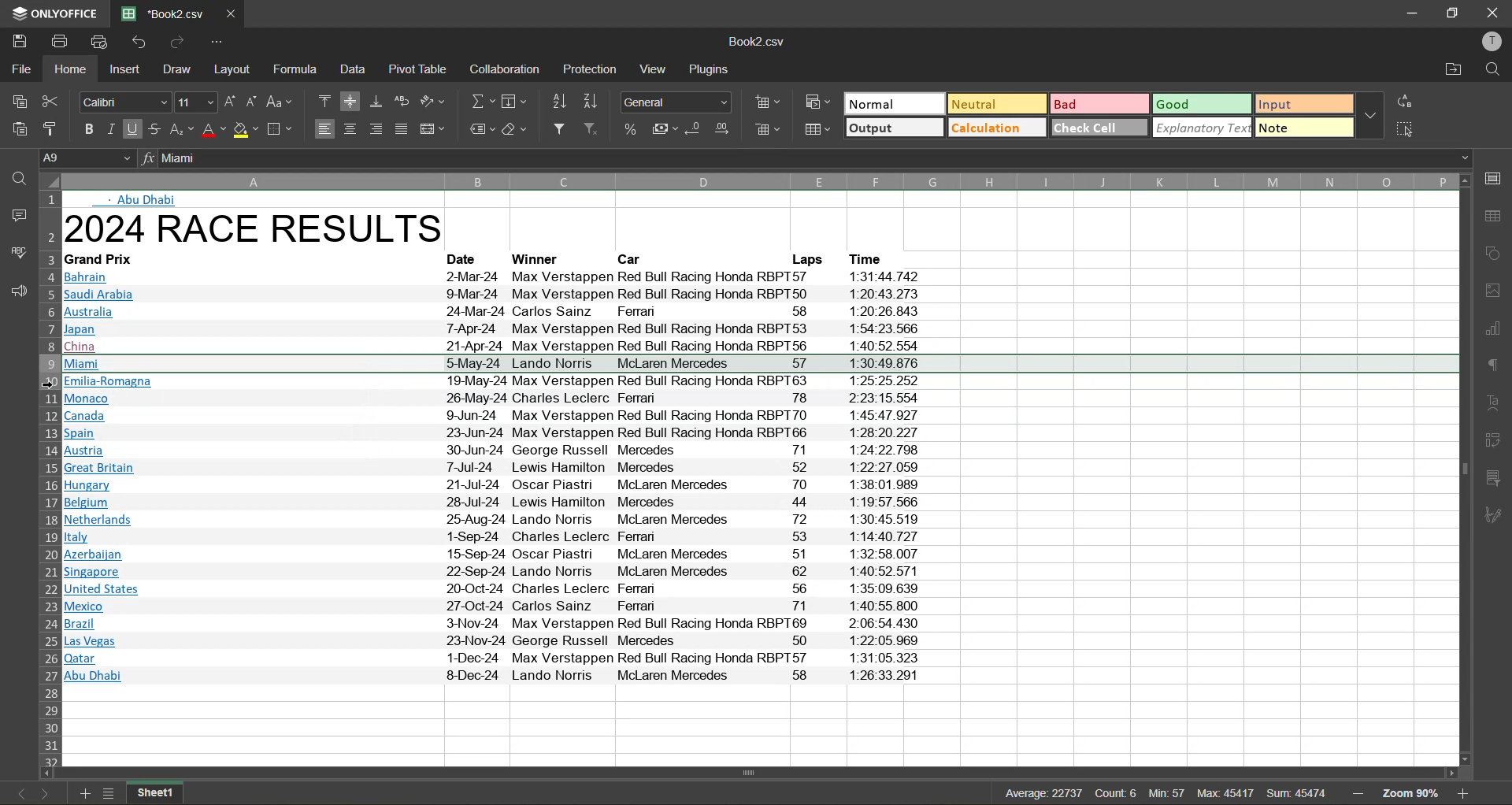  Describe the element at coordinates (183, 131) in the screenshot. I see `sub/superscript` at that location.